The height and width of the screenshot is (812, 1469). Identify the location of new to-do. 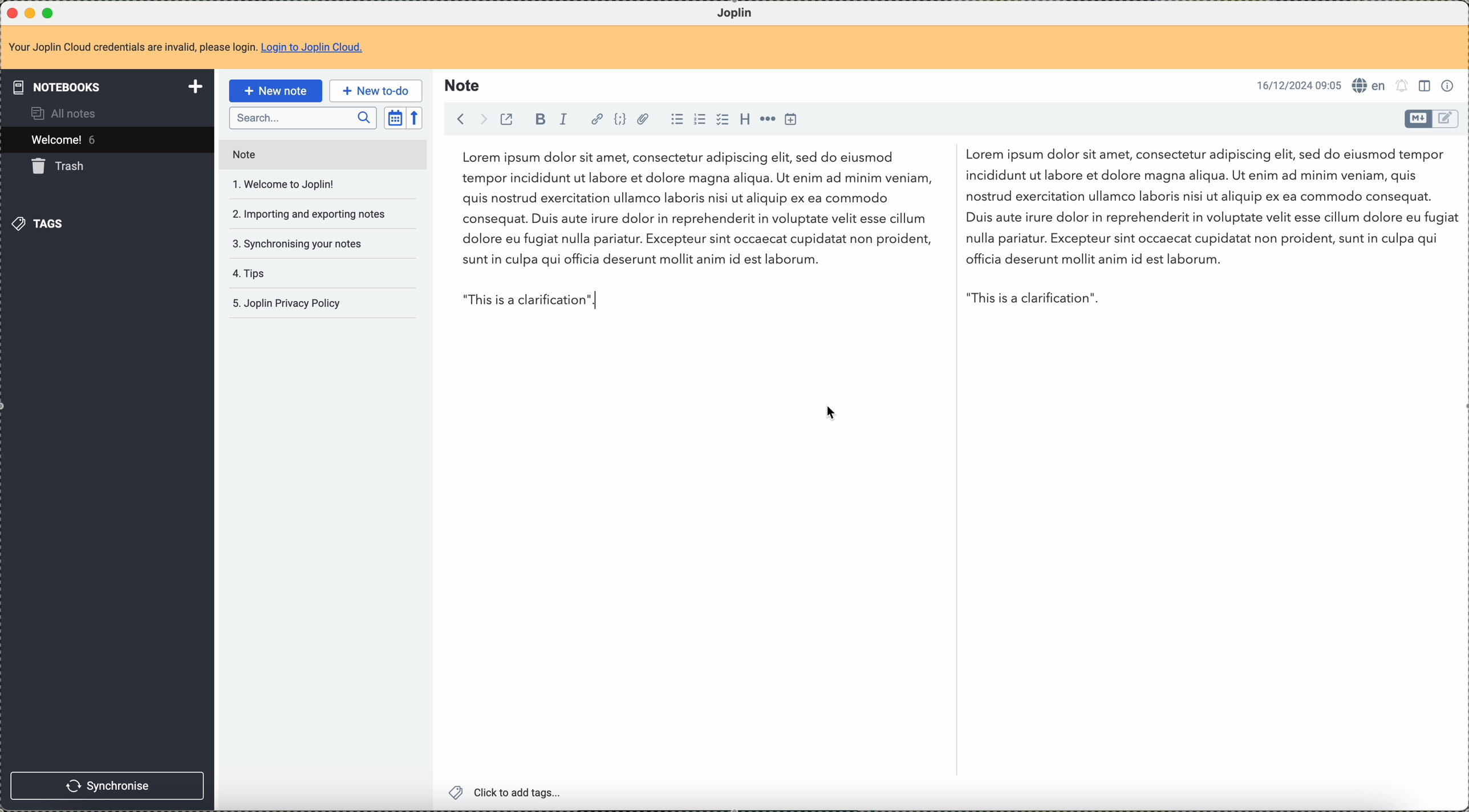
(375, 91).